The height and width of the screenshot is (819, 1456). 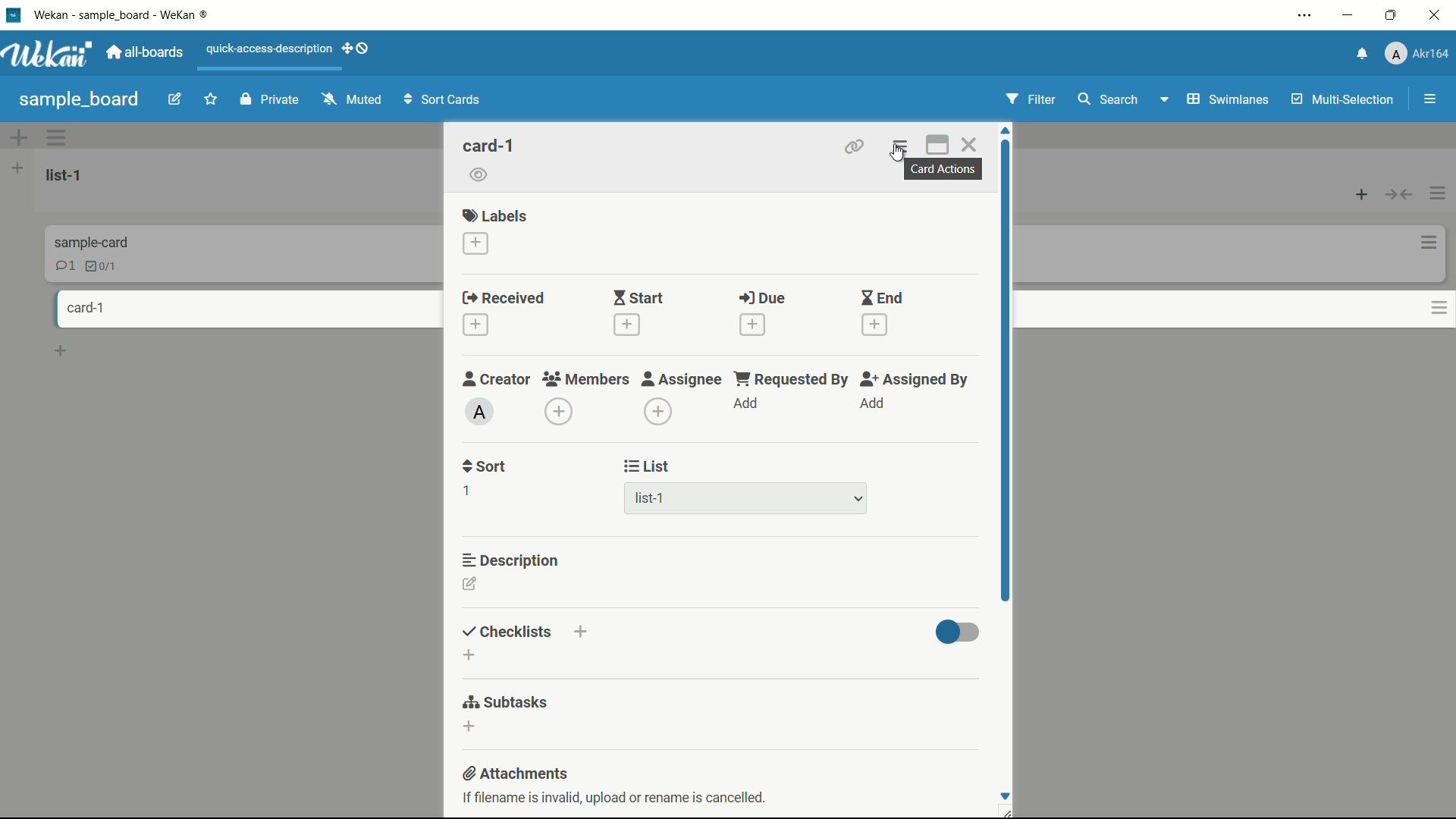 What do you see at coordinates (495, 215) in the screenshot?
I see `labels` at bounding box center [495, 215].